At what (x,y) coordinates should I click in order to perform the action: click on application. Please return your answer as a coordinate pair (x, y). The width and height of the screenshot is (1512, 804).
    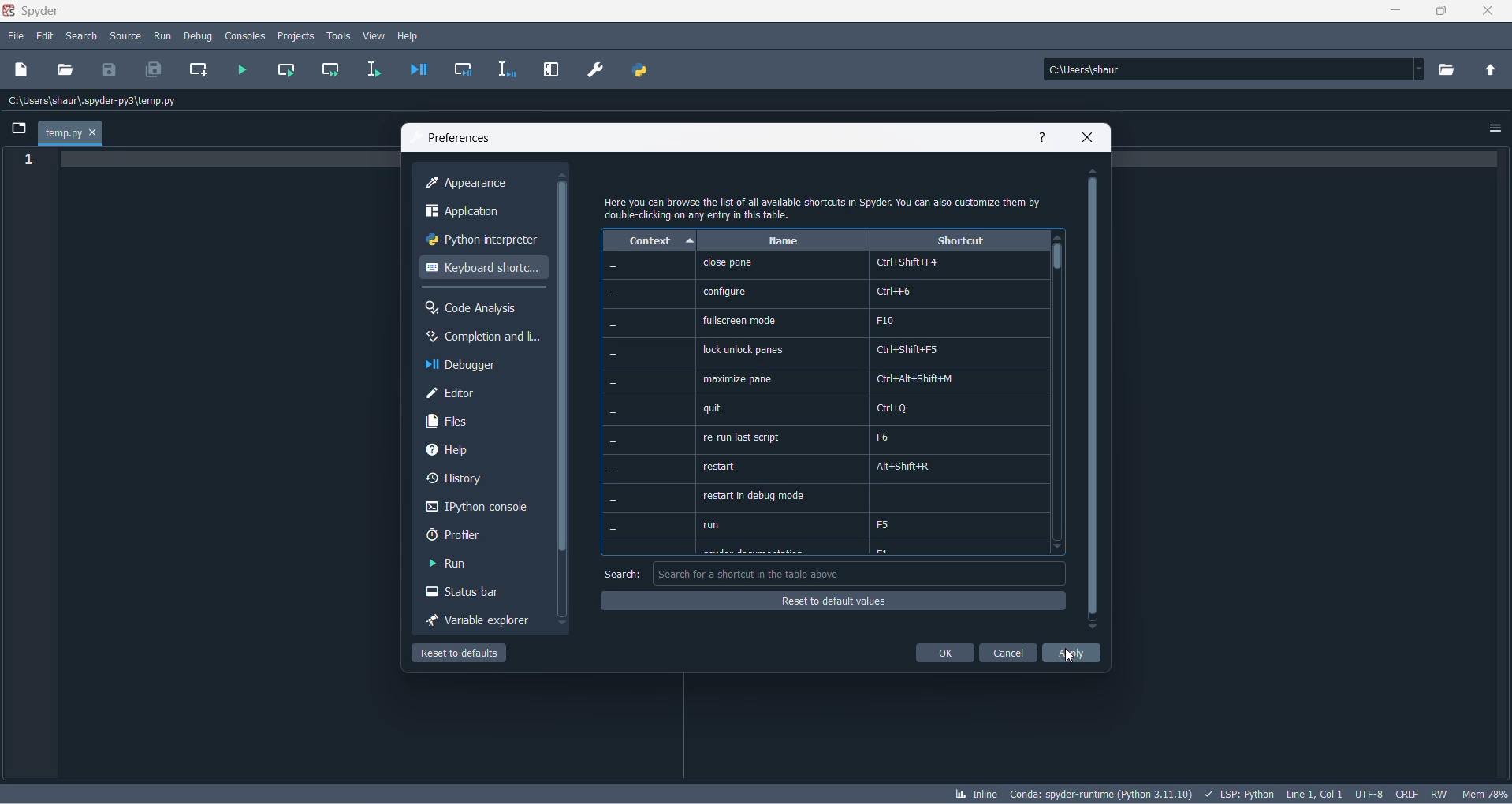
    Looking at the image, I should click on (481, 213).